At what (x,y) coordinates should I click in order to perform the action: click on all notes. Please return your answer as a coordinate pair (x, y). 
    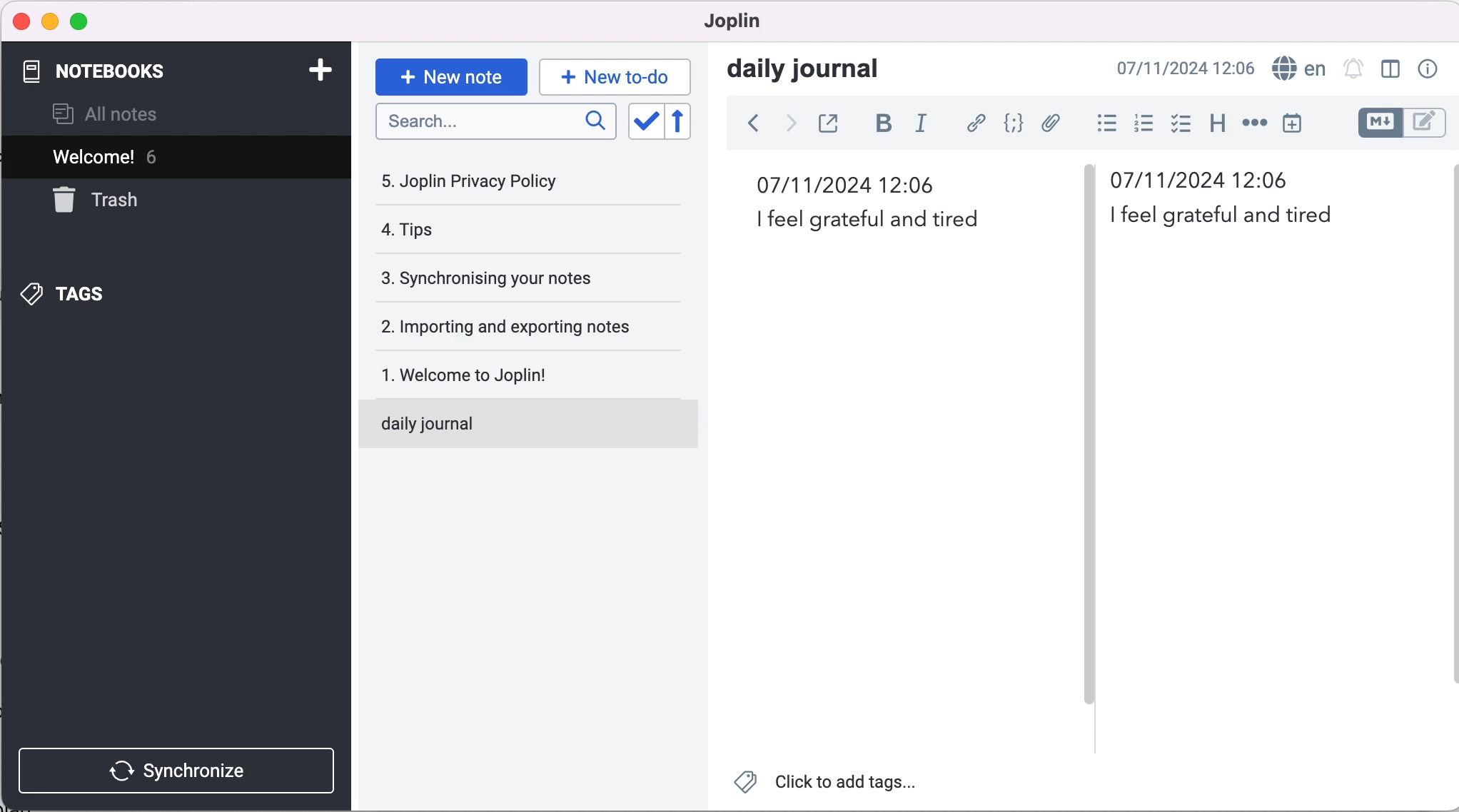
    Looking at the image, I should click on (118, 116).